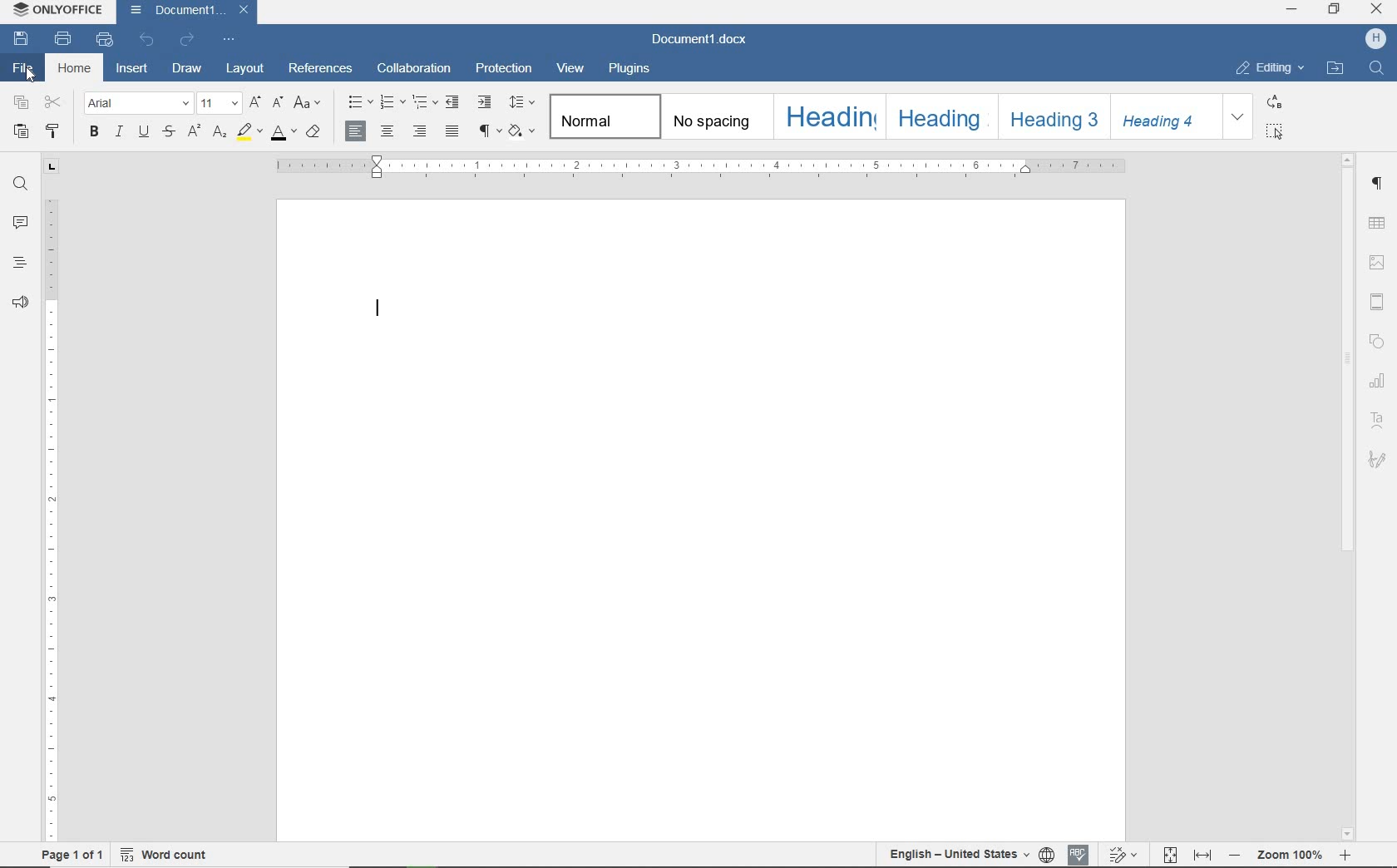 This screenshot has width=1397, height=868. I want to click on subscript, so click(220, 133).